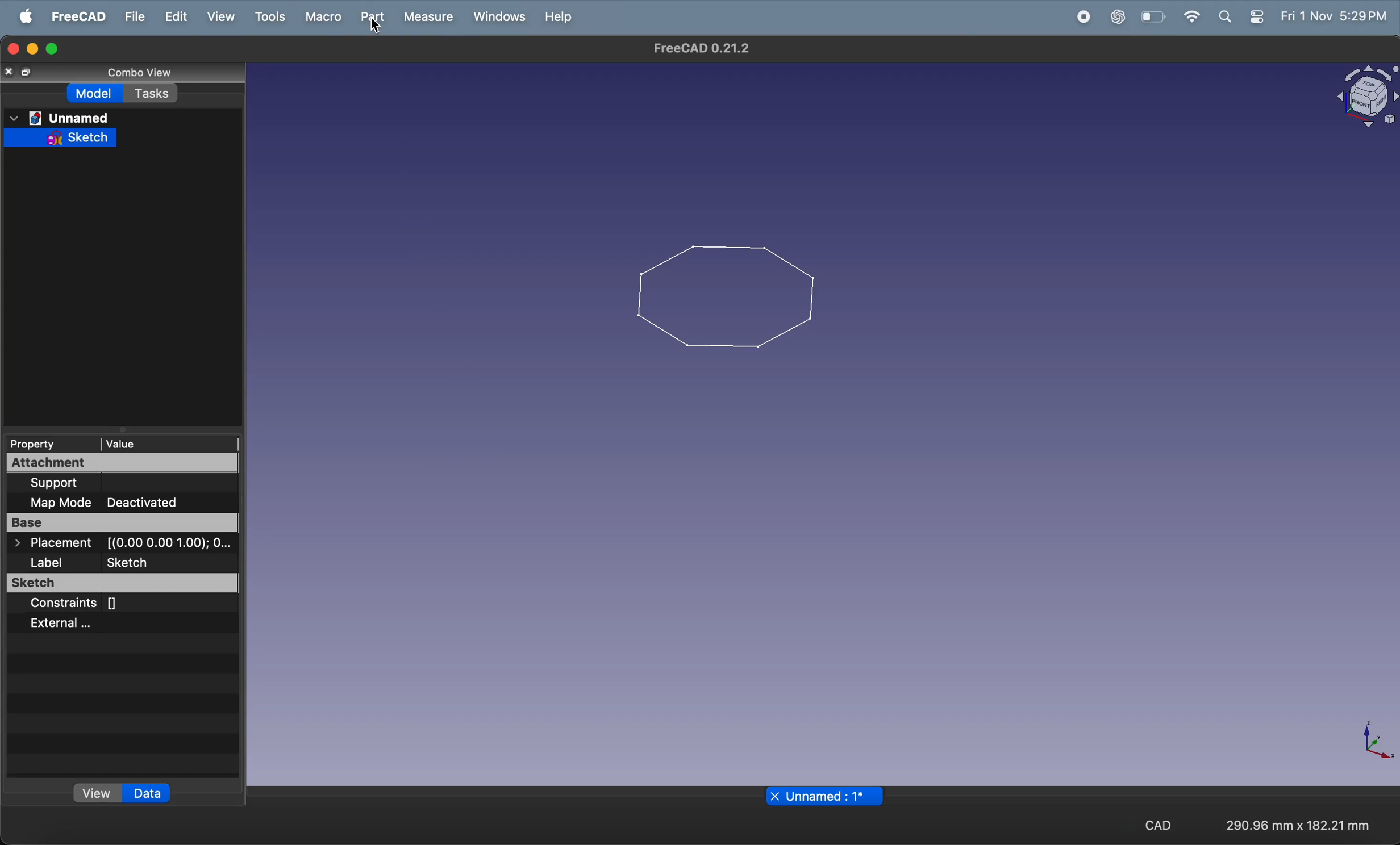 The width and height of the screenshot is (1400, 845). Describe the element at coordinates (1332, 15) in the screenshot. I see `time and date` at that location.